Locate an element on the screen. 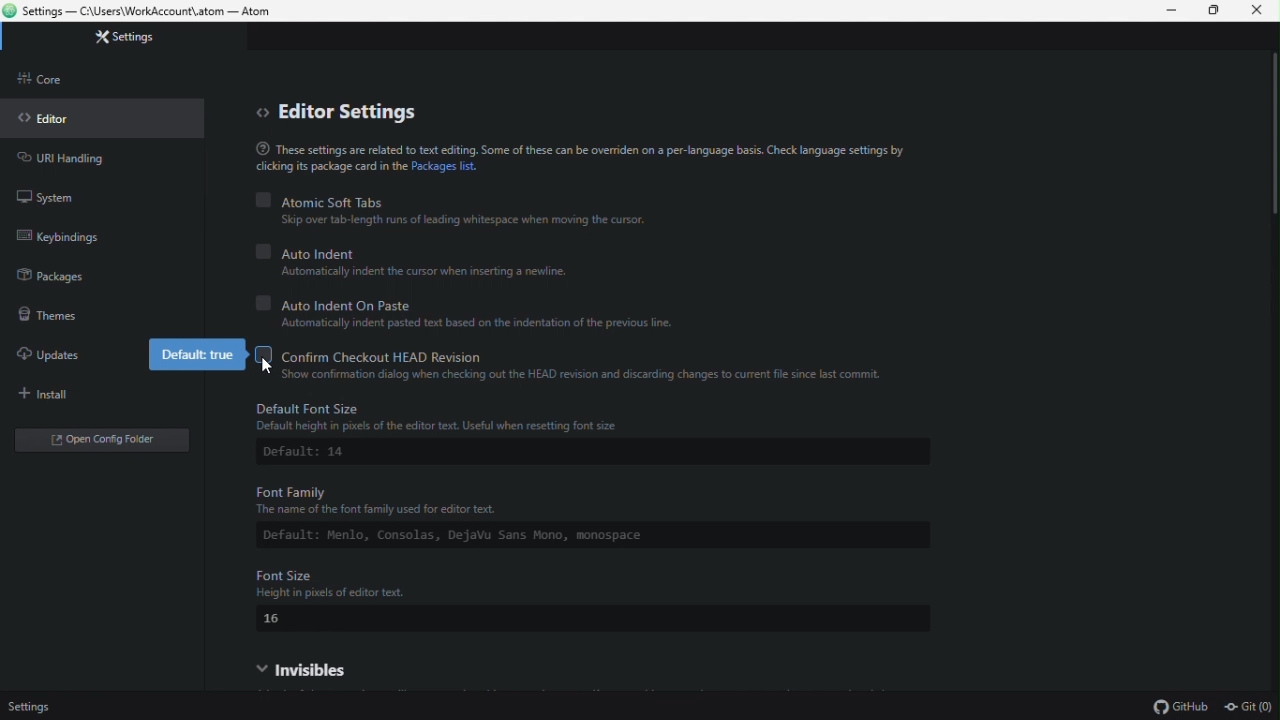  Automatically indent the cursor when inserting a newline. is located at coordinates (430, 273).